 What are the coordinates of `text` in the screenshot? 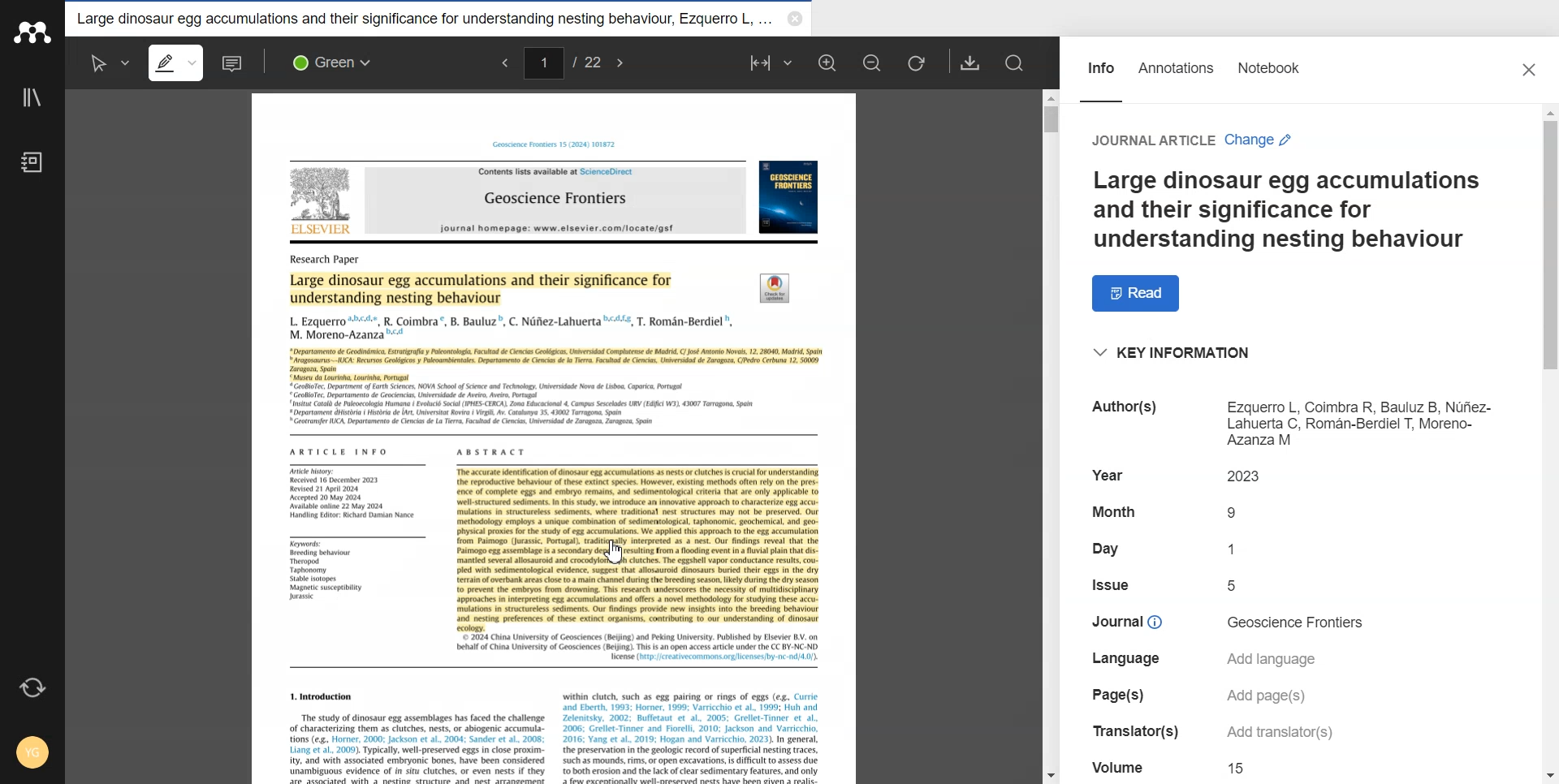 It's located at (1111, 584).